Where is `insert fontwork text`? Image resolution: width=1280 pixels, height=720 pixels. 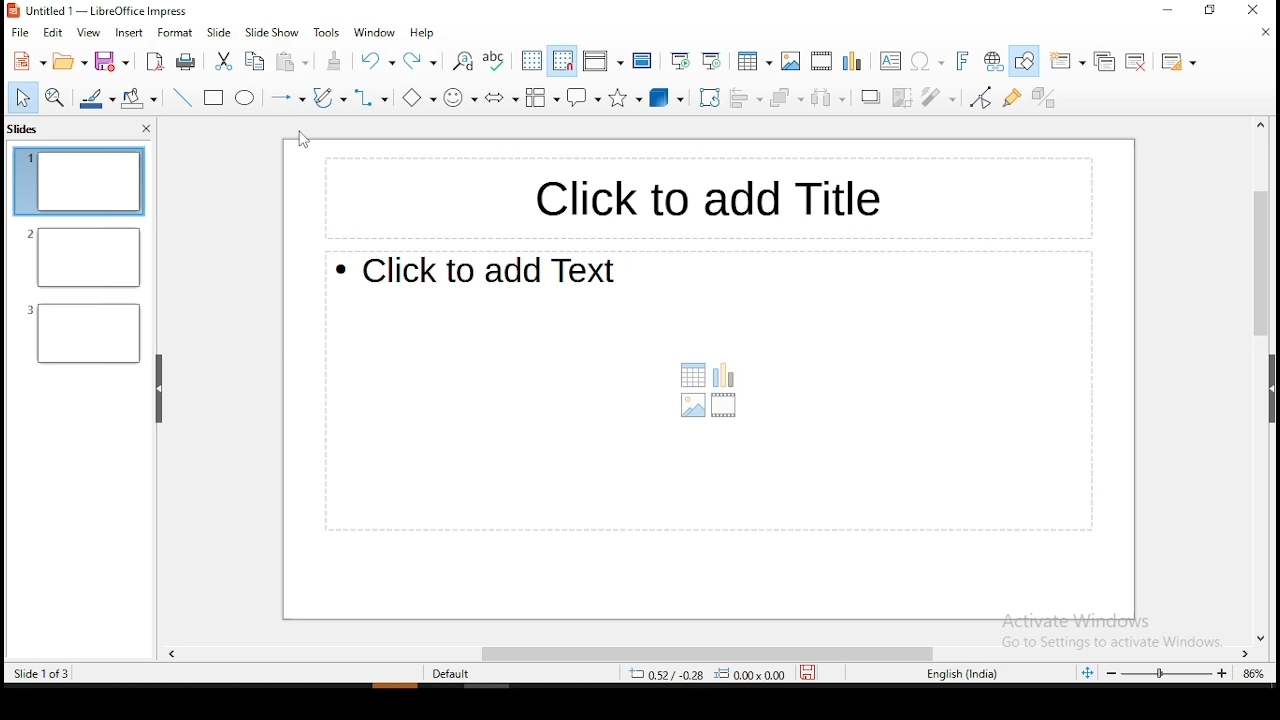 insert fontwork text is located at coordinates (964, 61).